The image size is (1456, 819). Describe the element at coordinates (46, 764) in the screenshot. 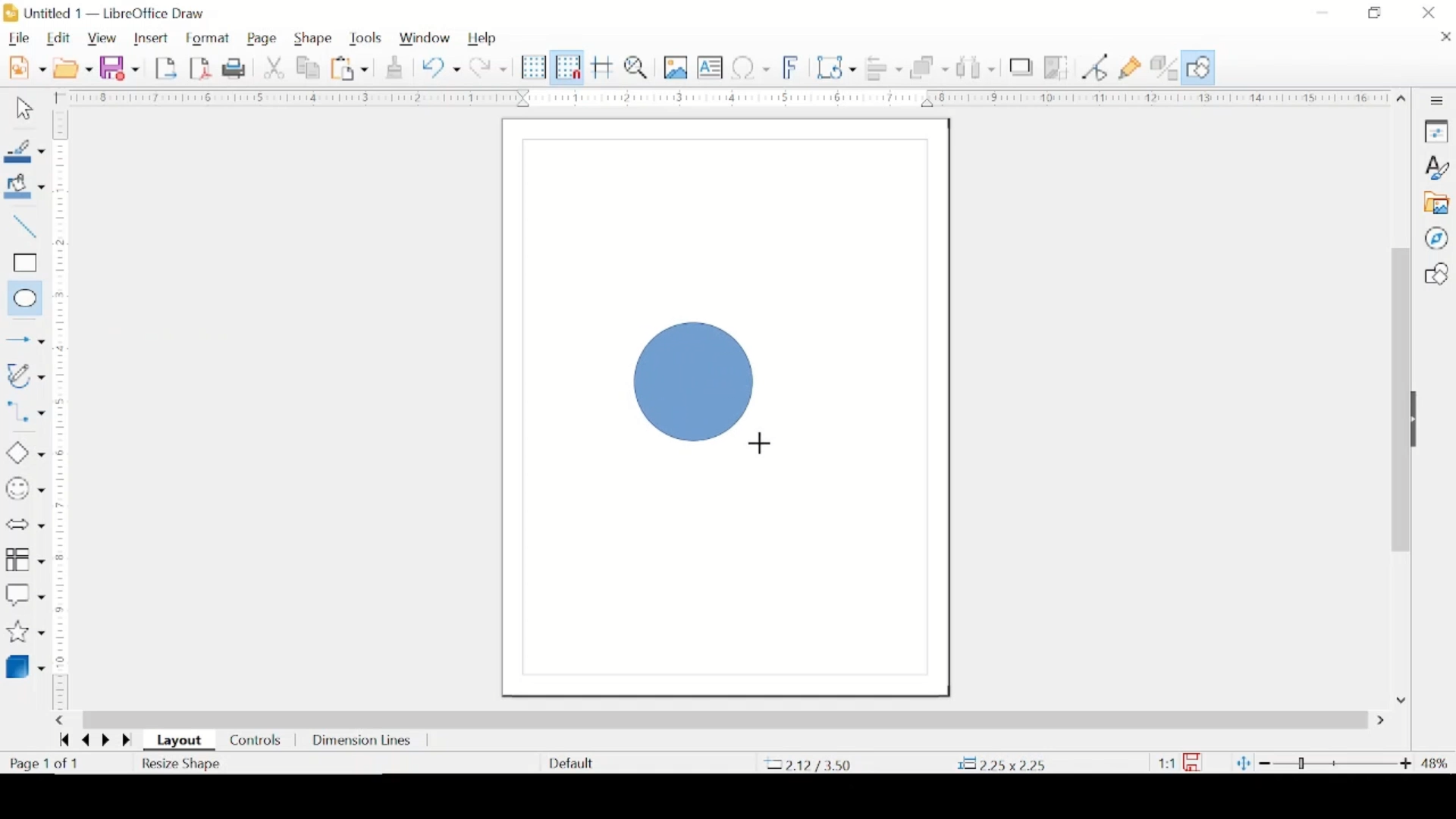

I see `page count` at that location.